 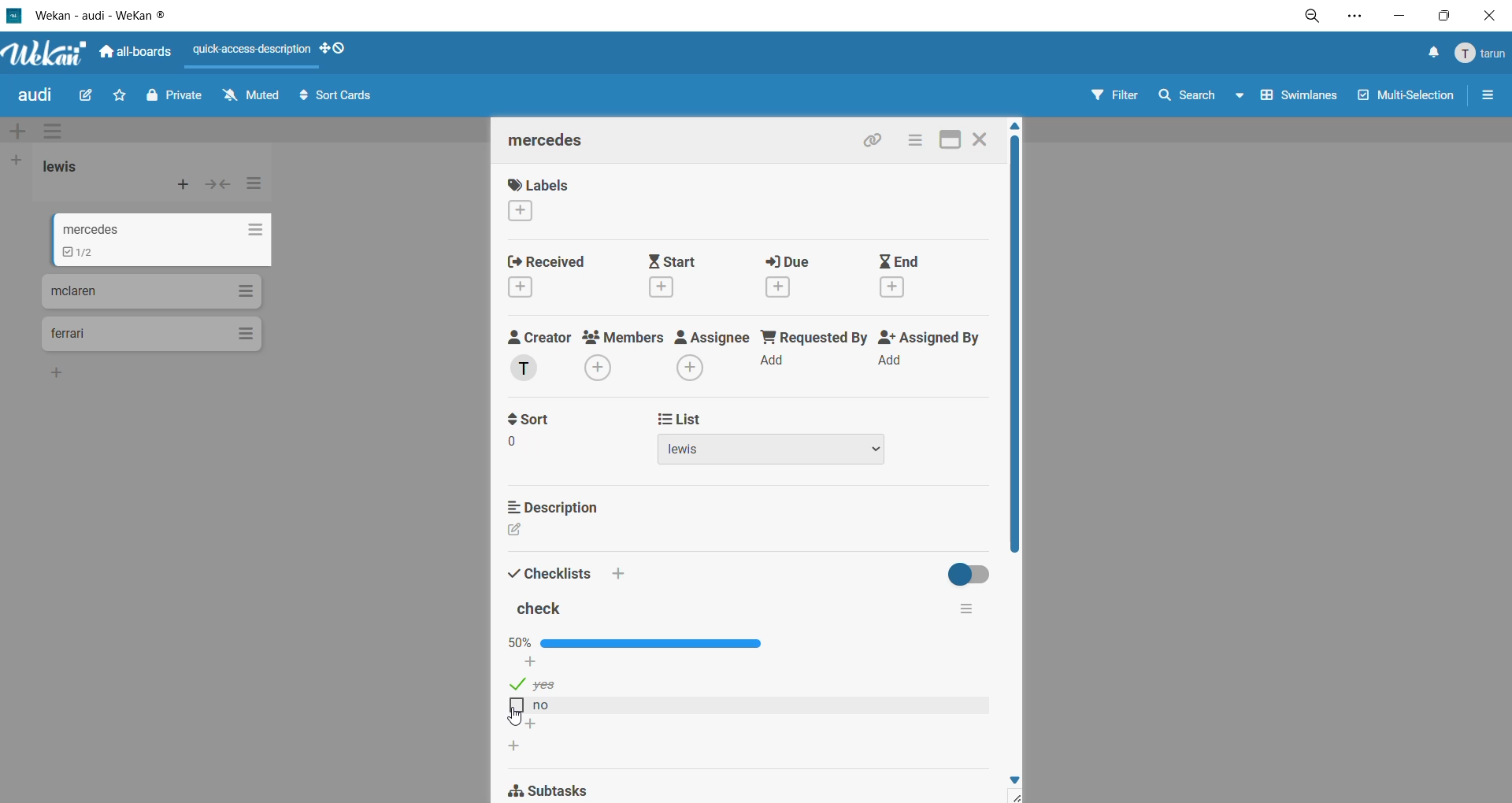 I want to click on search, so click(x=1199, y=98).